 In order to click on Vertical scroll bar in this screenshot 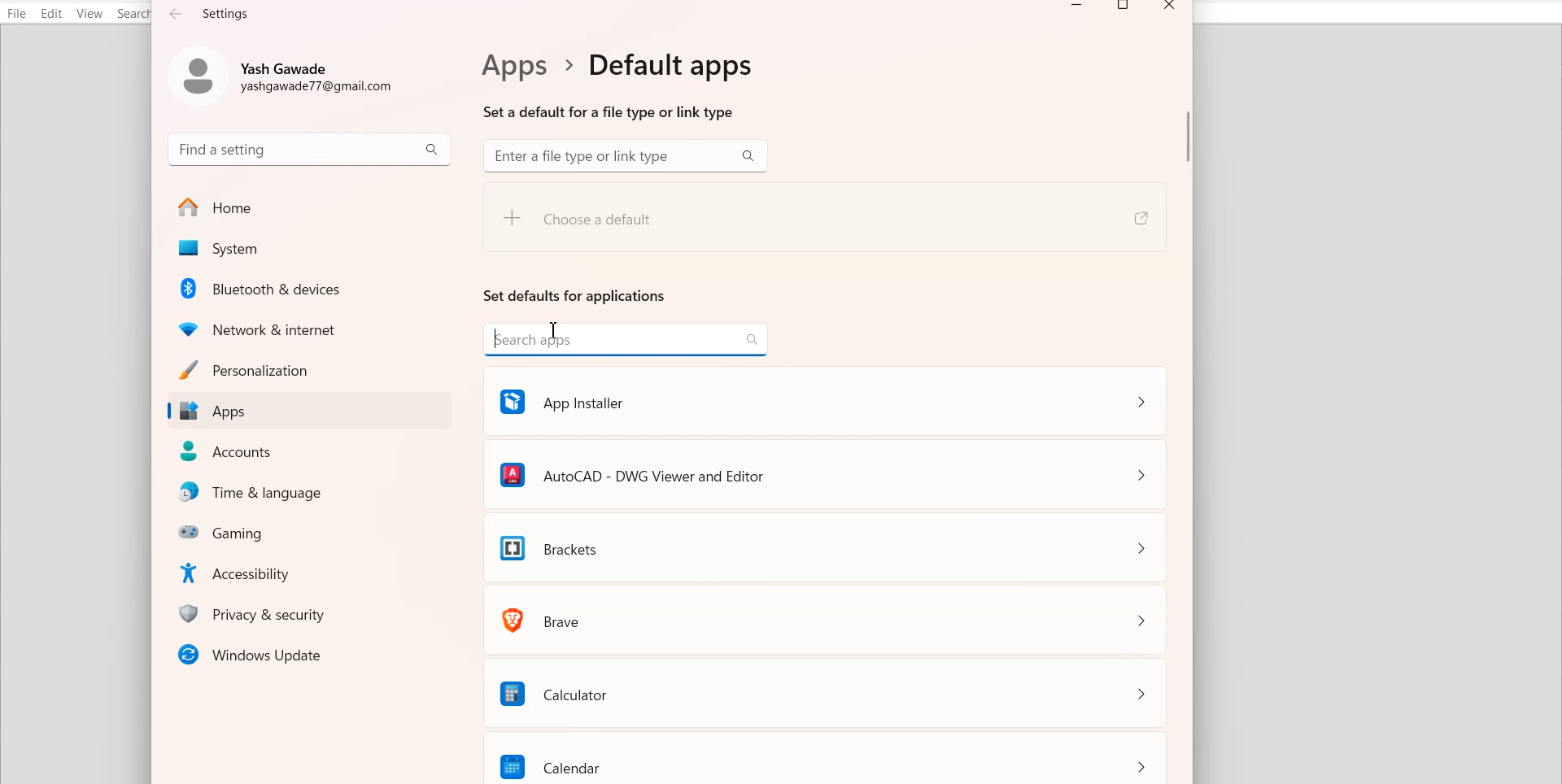, I will do `click(1187, 403)`.